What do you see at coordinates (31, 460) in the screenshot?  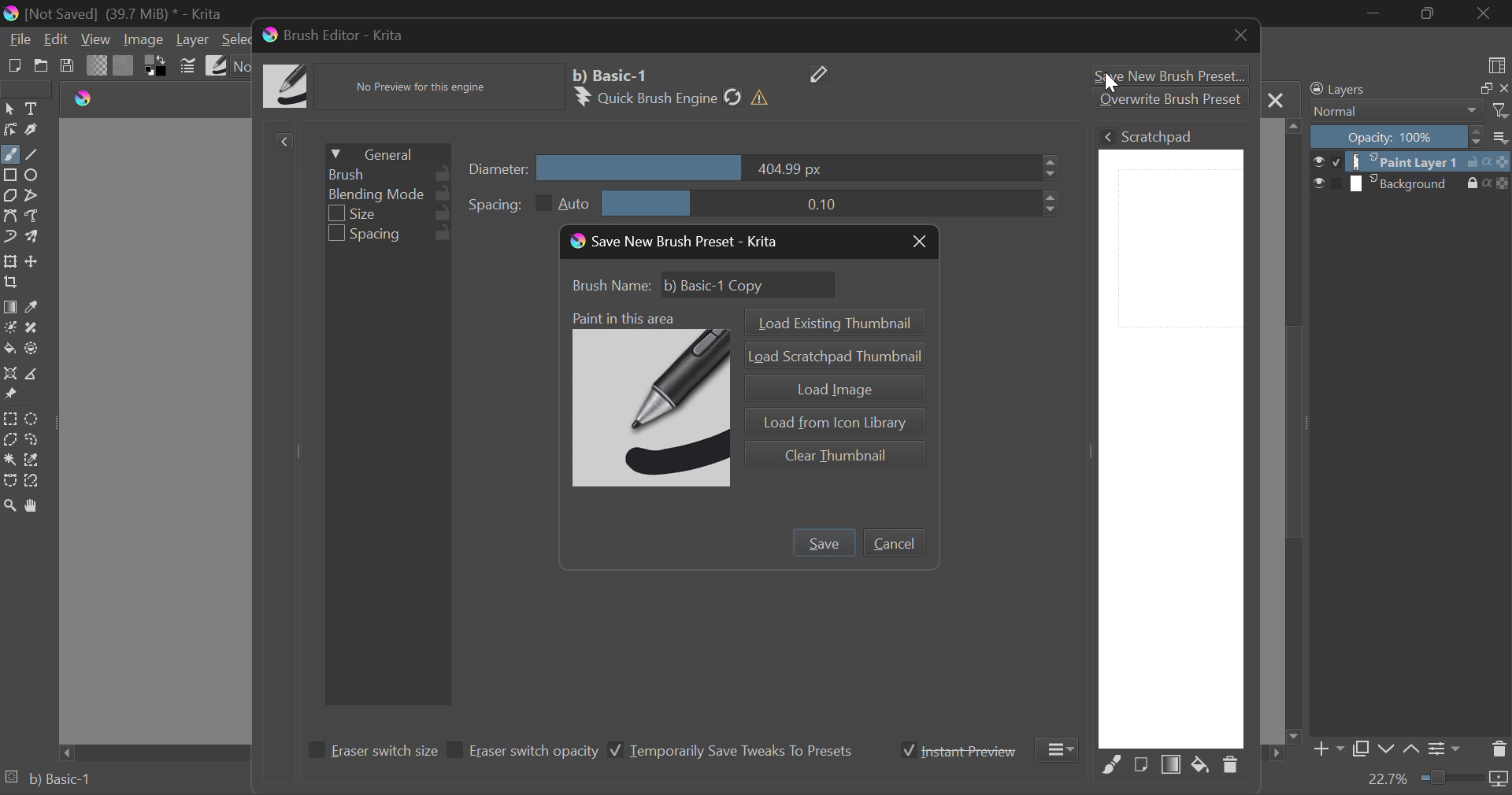 I see `Similar Color Selector` at bounding box center [31, 460].